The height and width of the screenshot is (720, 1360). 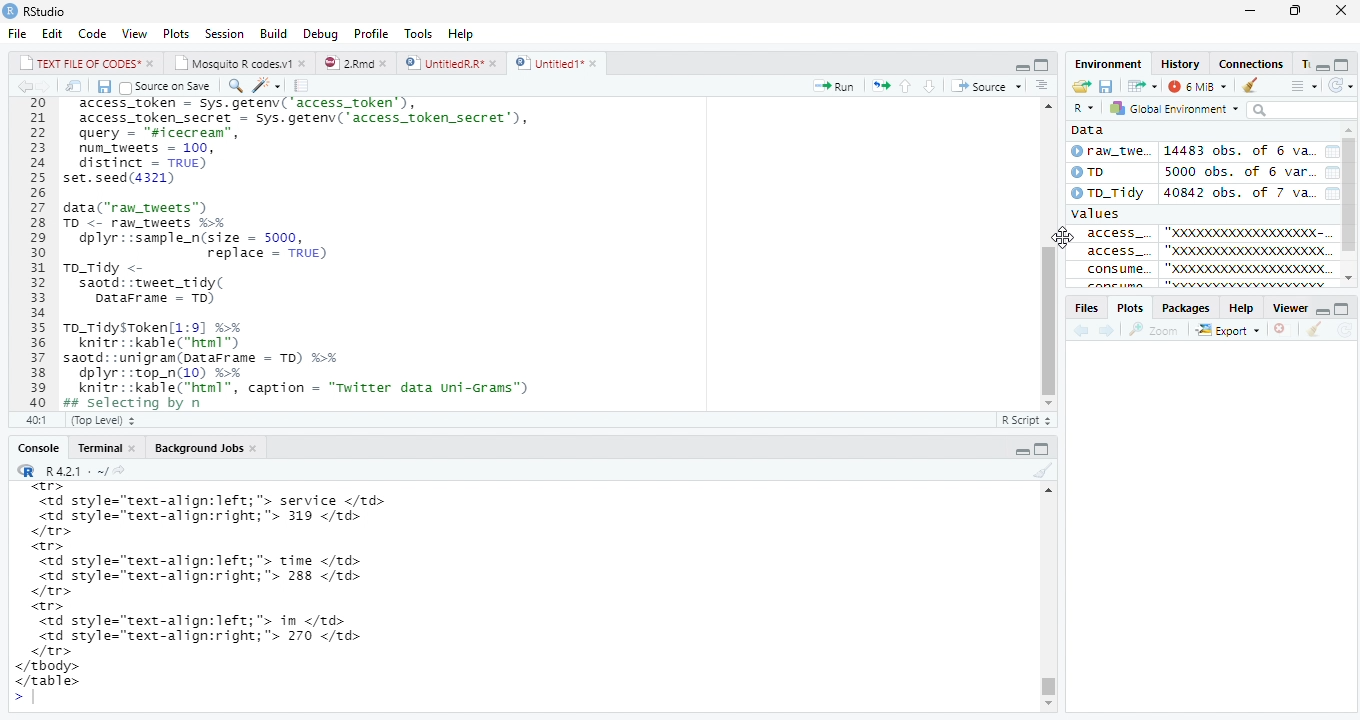 I want to click on compile report, so click(x=301, y=85).